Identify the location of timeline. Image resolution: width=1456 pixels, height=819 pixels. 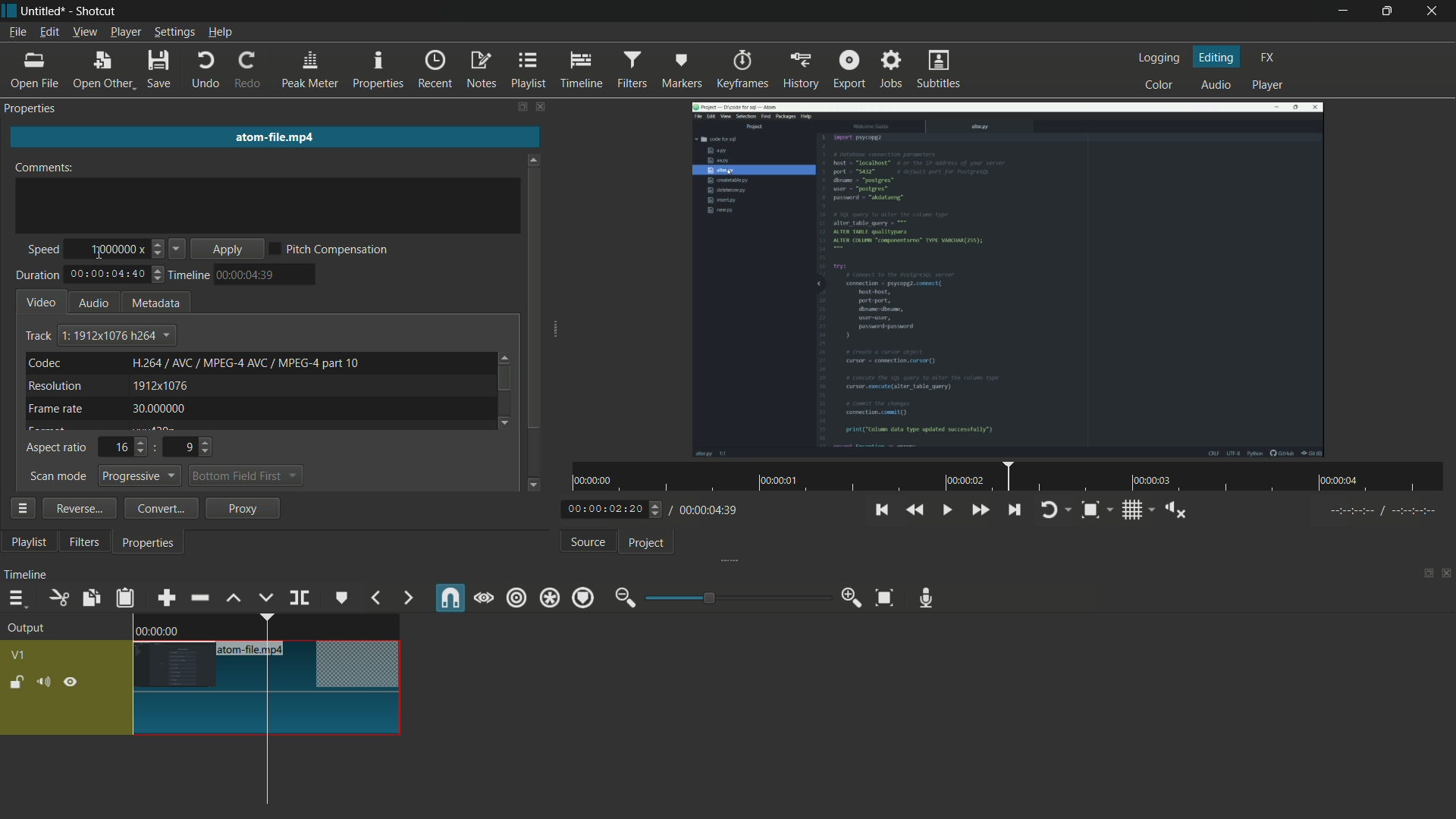
(579, 70).